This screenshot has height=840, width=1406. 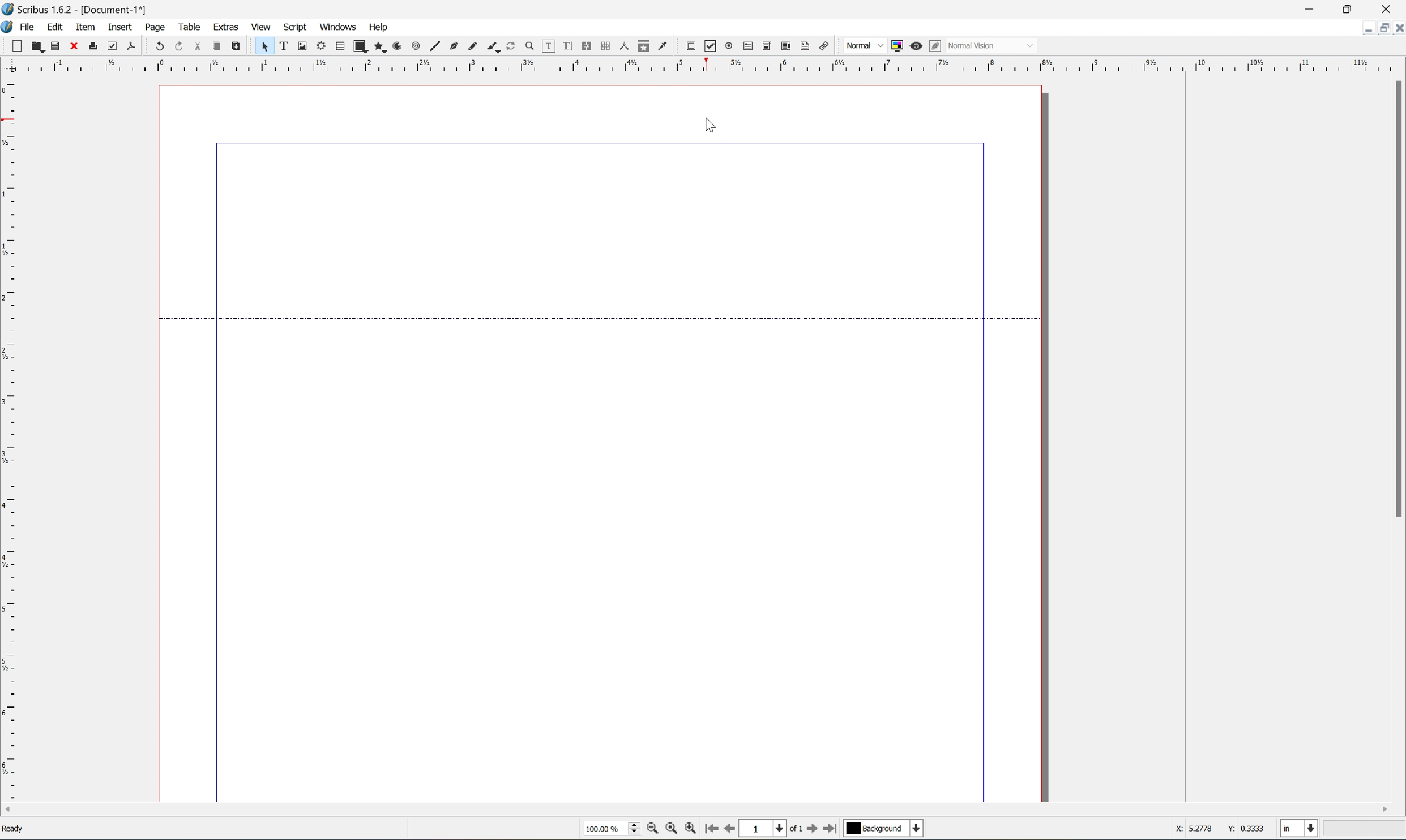 I want to click on zoom in or zoom out, so click(x=530, y=47).